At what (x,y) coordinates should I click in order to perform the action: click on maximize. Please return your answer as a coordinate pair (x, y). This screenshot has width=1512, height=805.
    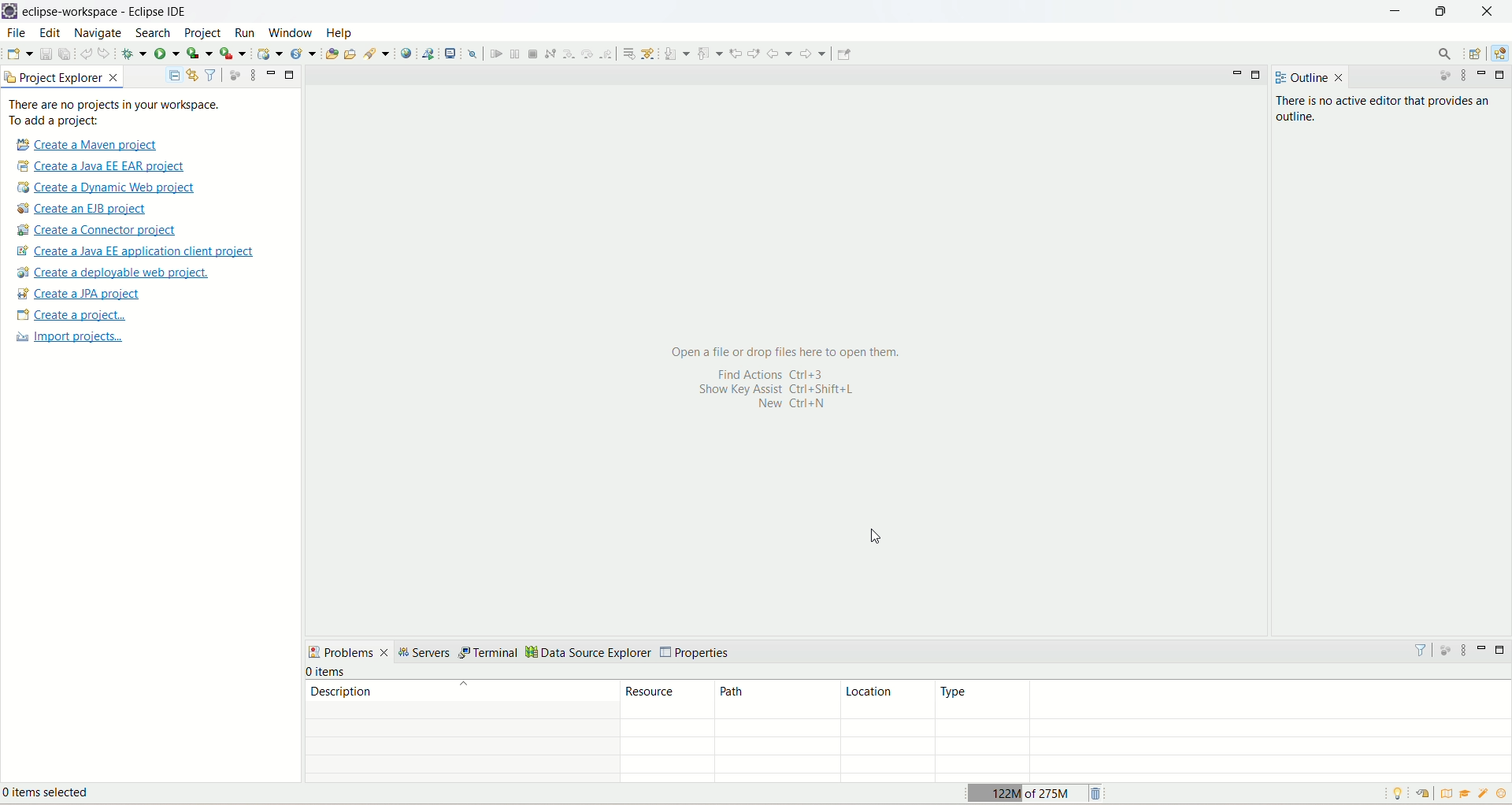
    Looking at the image, I should click on (1444, 14).